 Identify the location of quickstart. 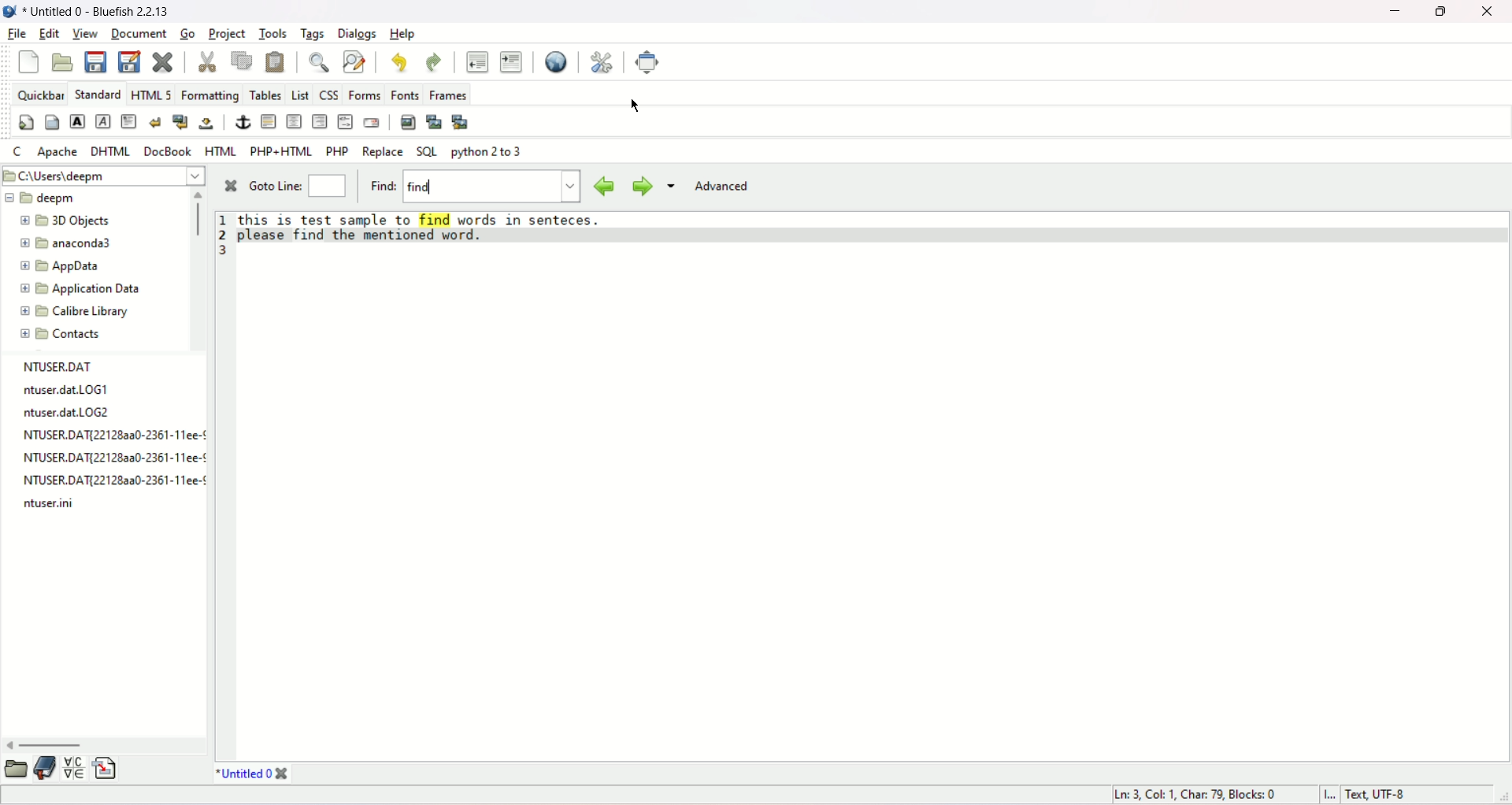
(24, 122).